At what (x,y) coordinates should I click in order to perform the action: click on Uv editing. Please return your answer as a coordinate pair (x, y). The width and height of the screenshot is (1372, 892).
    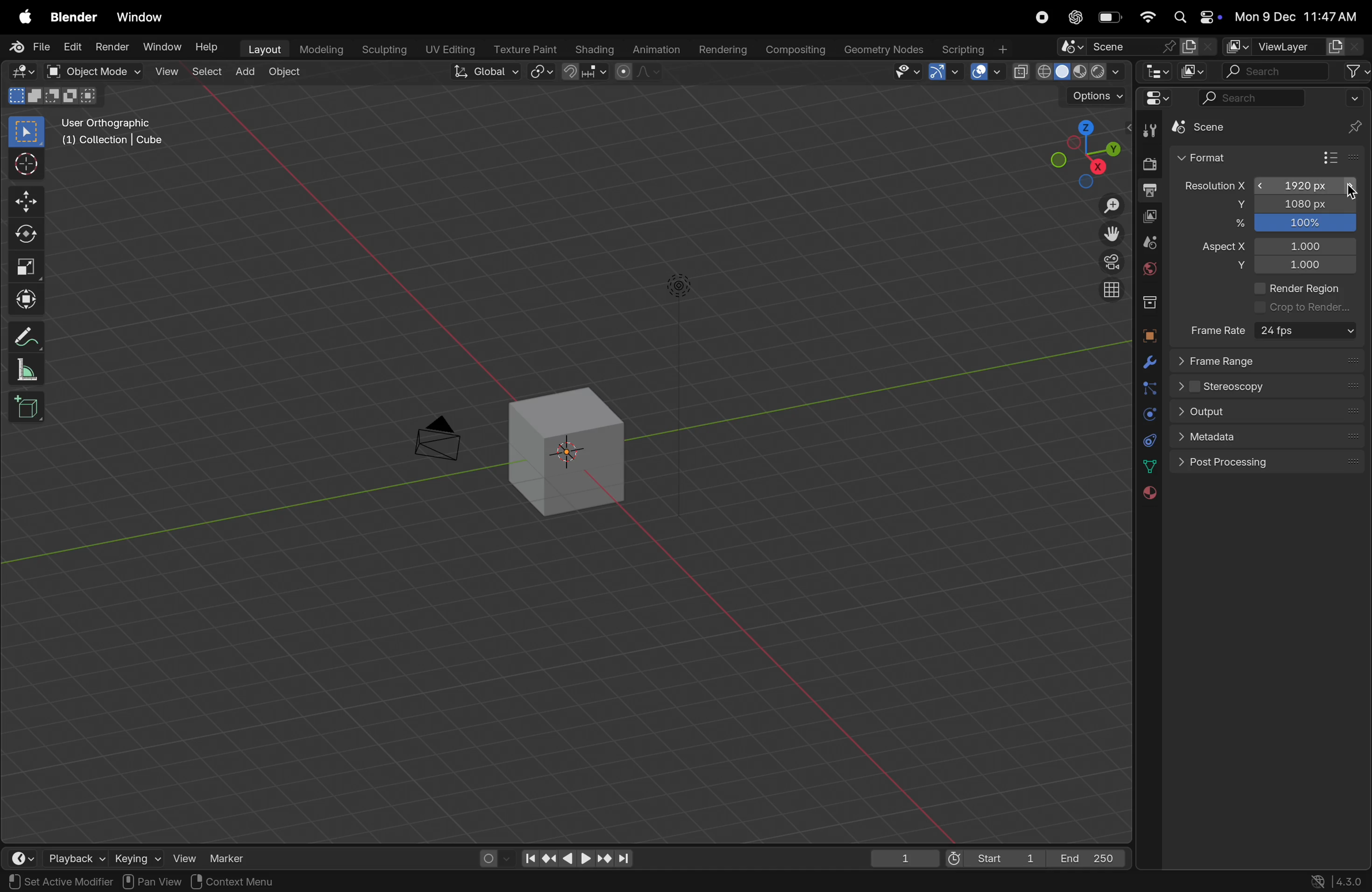
    Looking at the image, I should click on (450, 48).